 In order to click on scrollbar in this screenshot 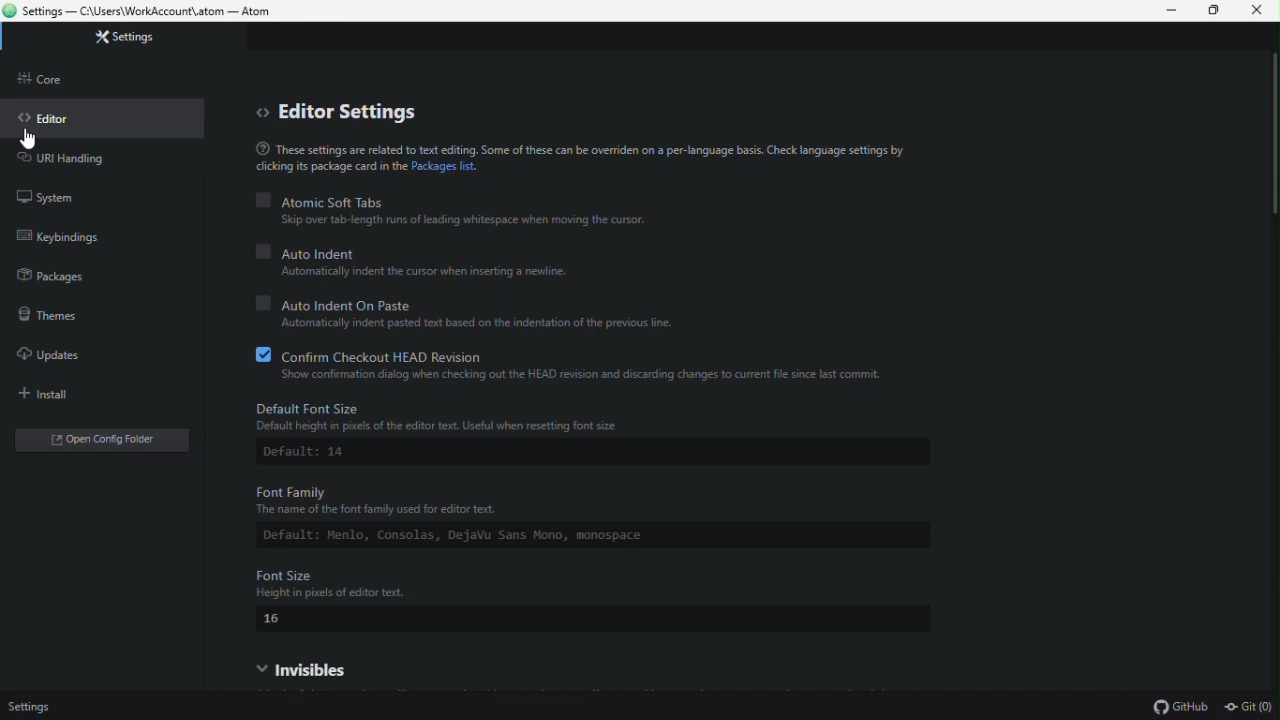, I will do `click(1272, 152)`.